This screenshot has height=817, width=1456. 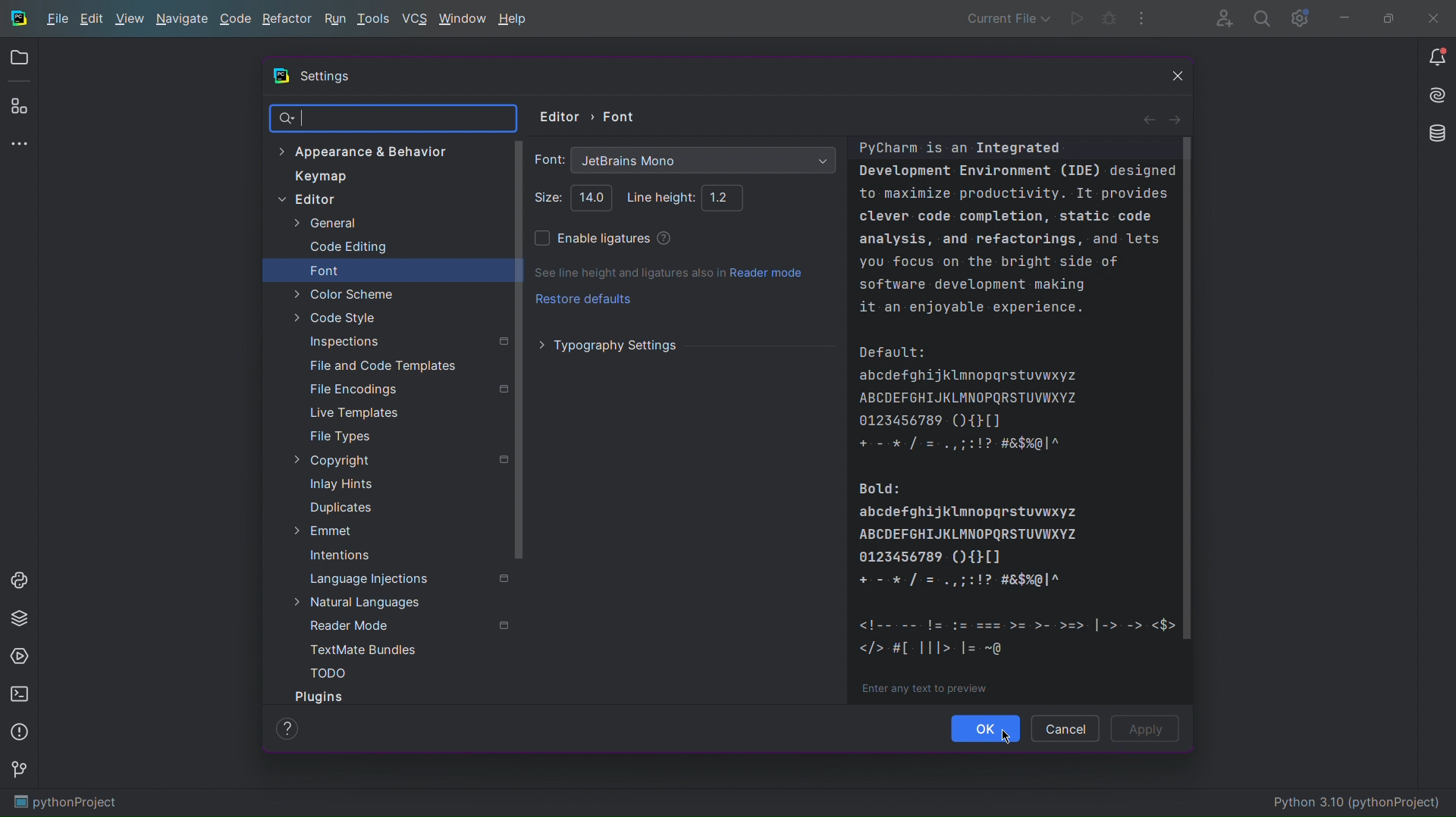 I want to click on Line height: 1.2, so click(x=726, y=196).